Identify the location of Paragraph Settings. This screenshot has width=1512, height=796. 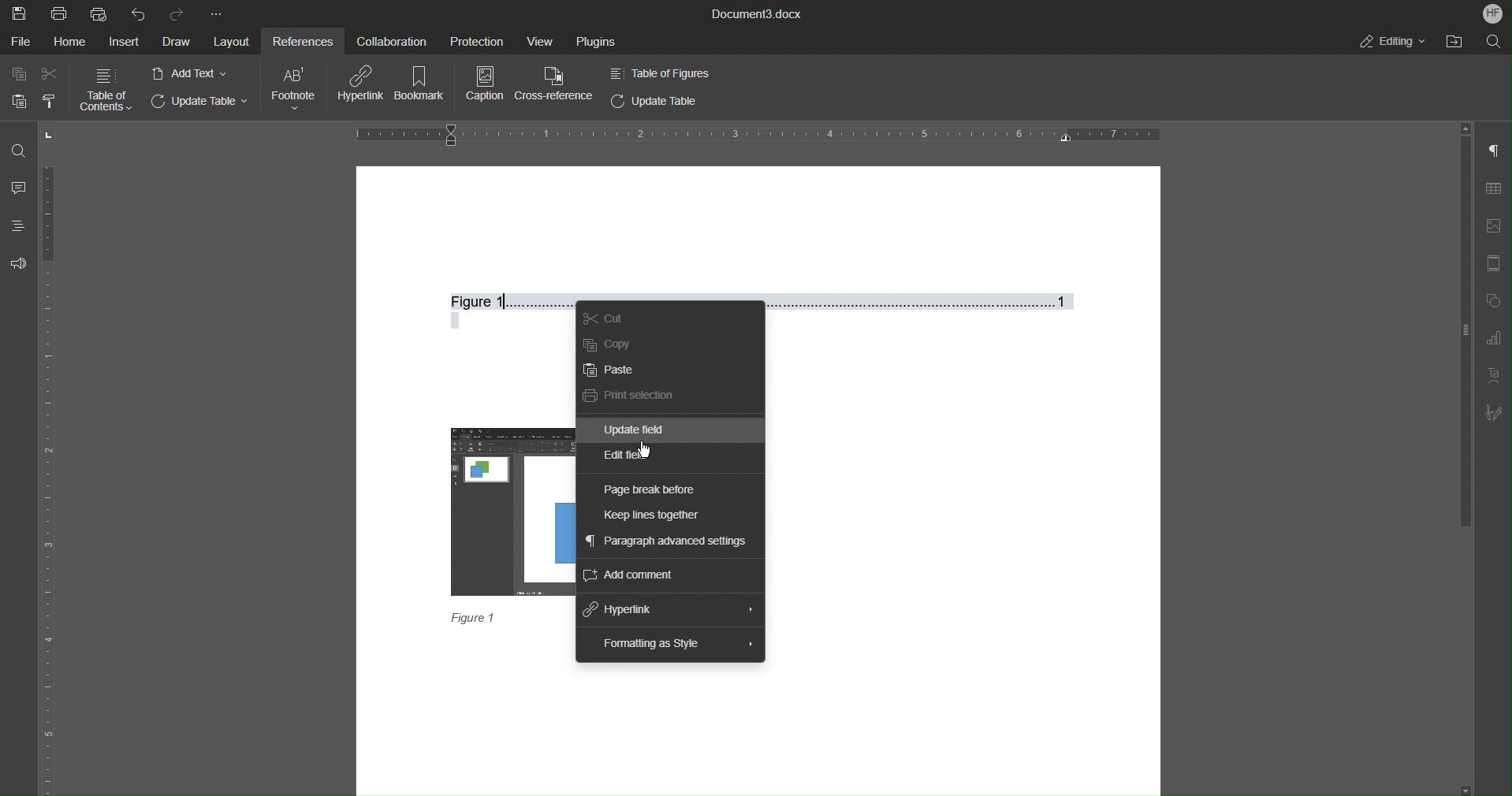
(1494, 153).